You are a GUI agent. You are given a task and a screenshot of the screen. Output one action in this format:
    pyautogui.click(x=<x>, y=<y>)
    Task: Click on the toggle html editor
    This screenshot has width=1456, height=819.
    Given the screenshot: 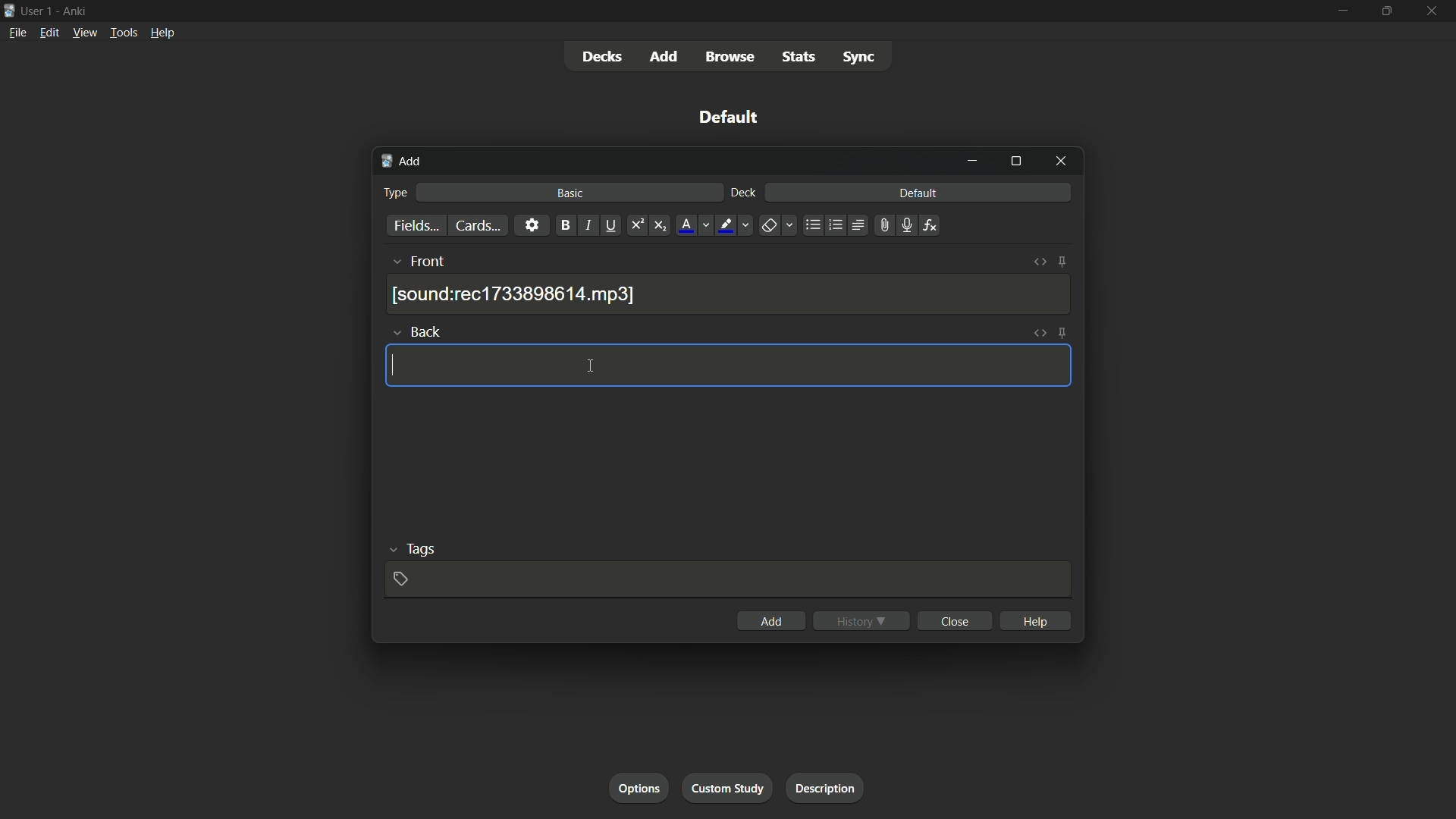 What is the action you would take?
    pyautogui.click(x=1040, y=334)
    